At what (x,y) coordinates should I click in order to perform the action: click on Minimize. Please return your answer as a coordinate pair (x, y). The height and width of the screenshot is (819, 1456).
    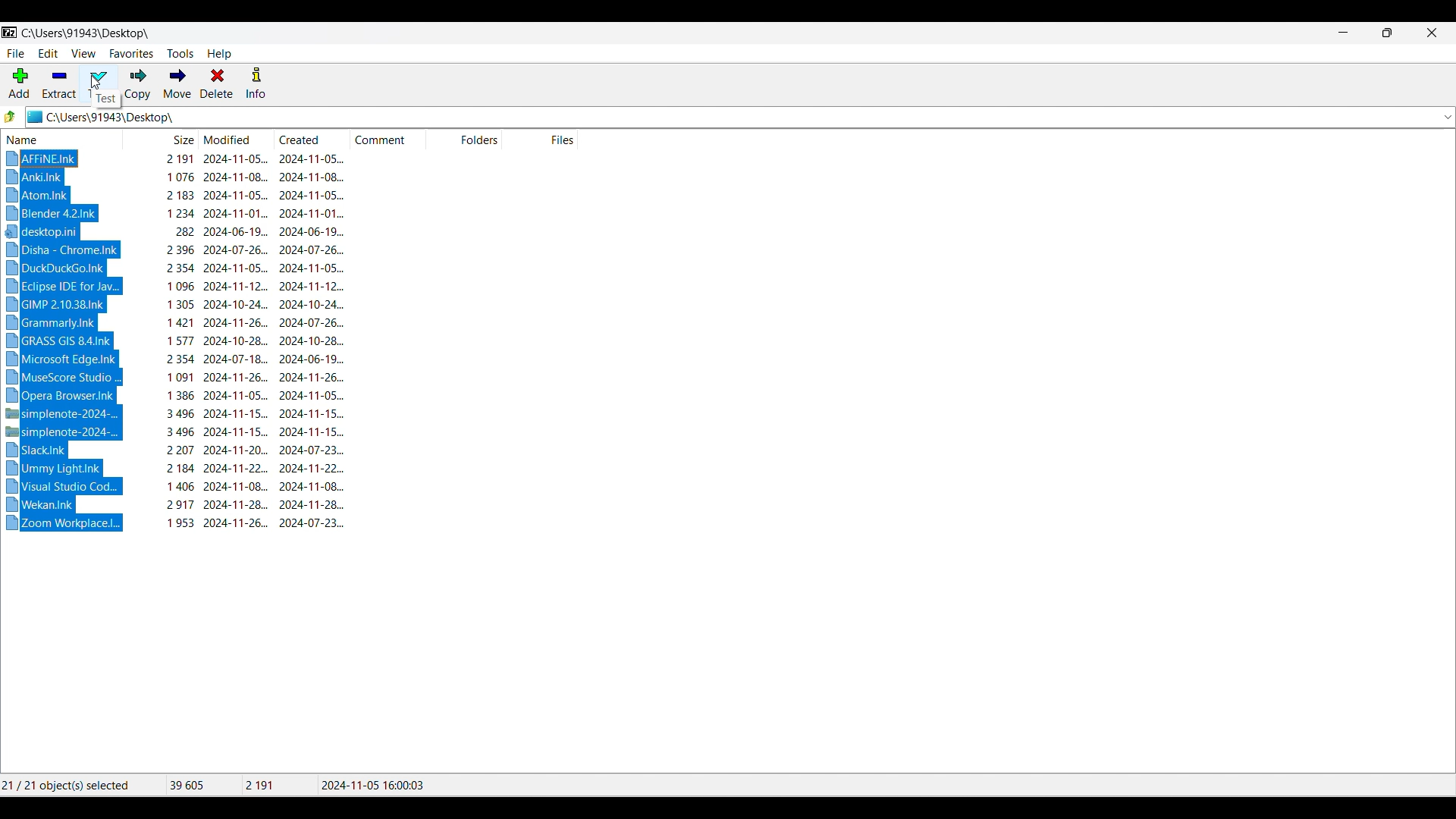
    Looking at the image, I should click on (1344, 33).